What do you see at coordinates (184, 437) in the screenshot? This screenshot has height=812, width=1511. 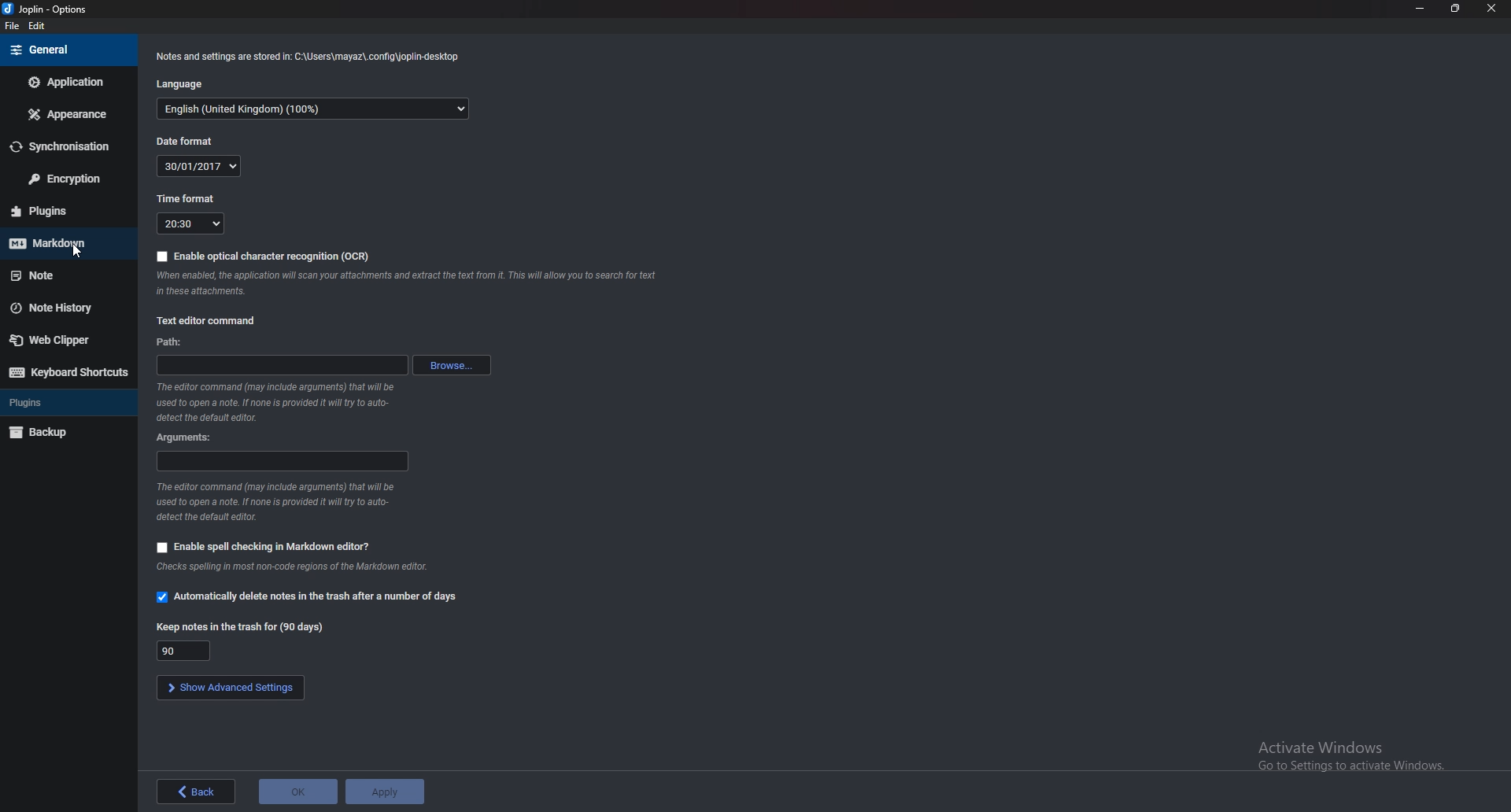 I see `arguments` at bounding box center [184, 437].